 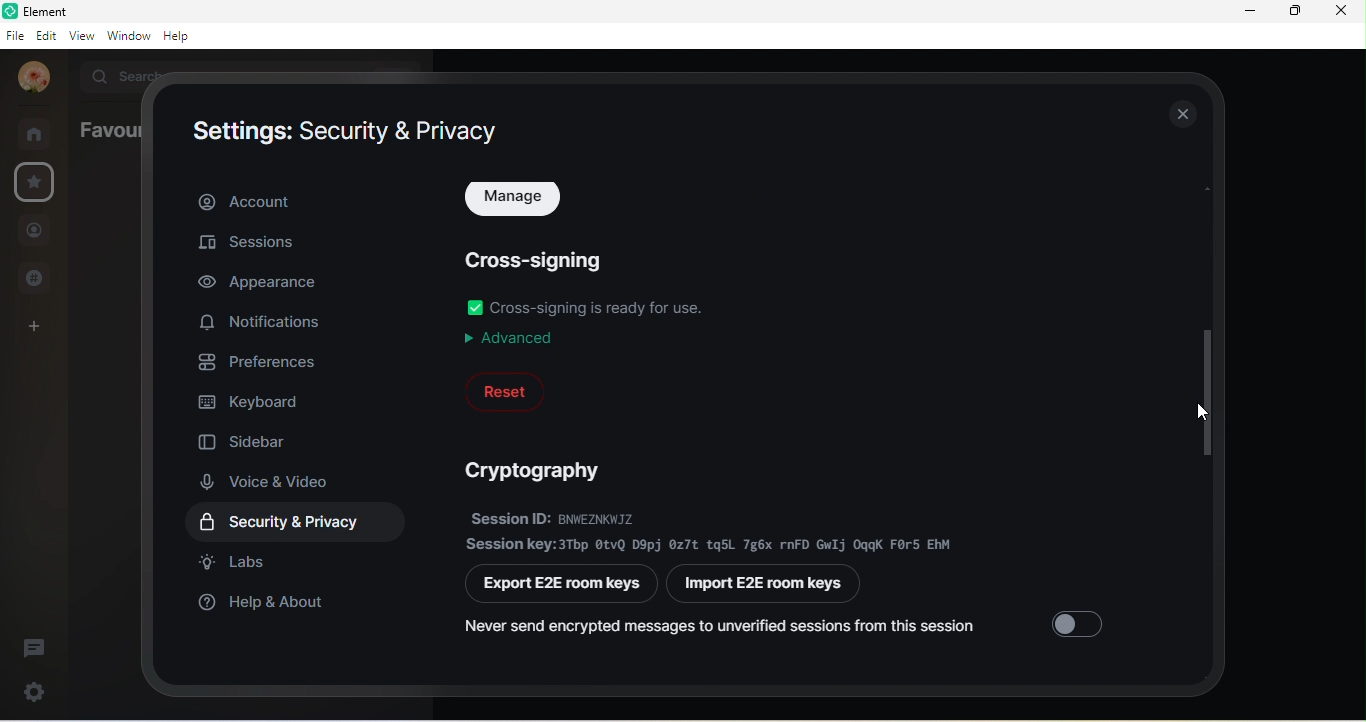 What do you see at coordinates (35, 646) in the screenshot?
I see `threads` at bounding box center [35, 646].